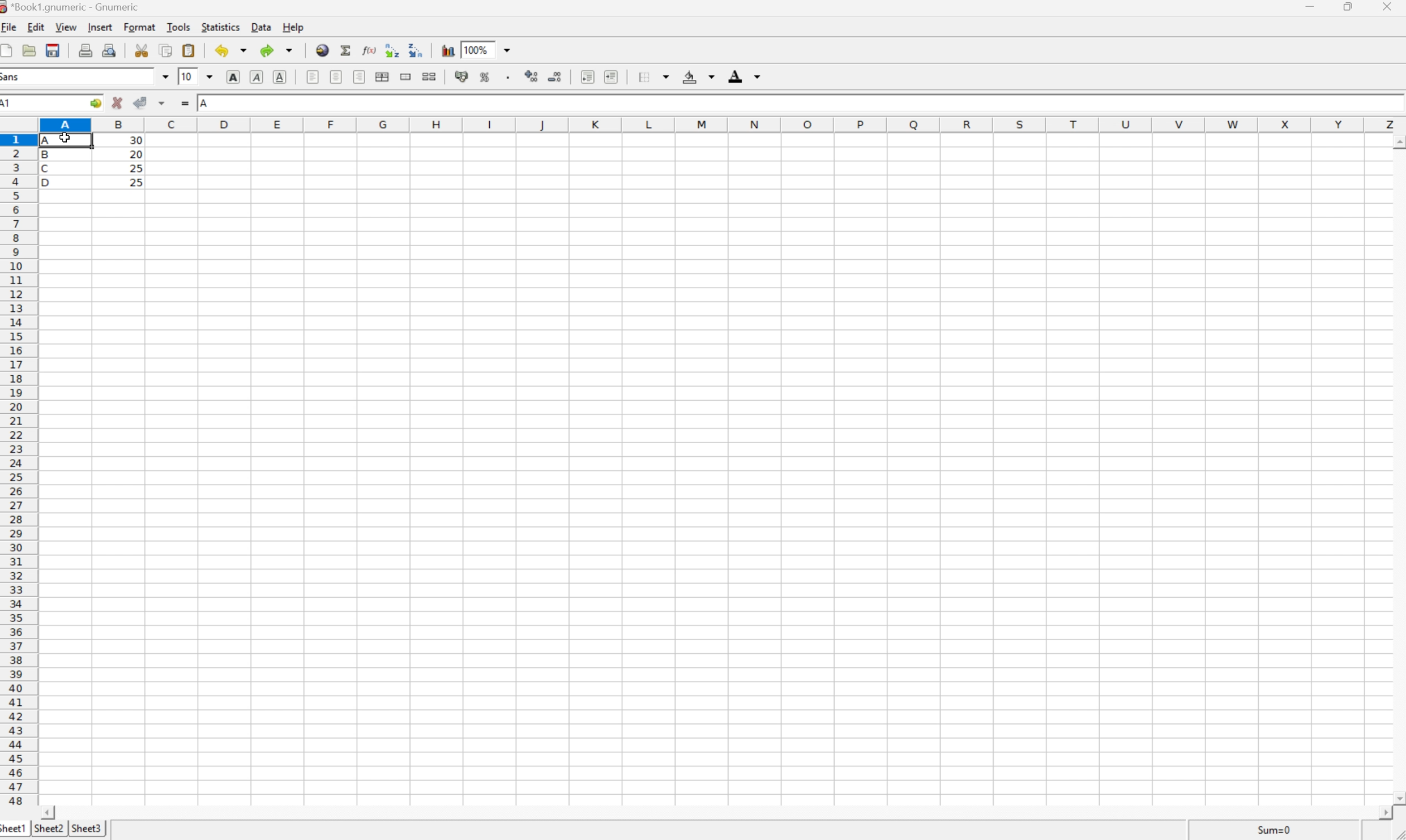 The image size is (1406, 840). Describe the element at coordinates (14, 830) in the screenshot. I see `Sheet1` at that location.